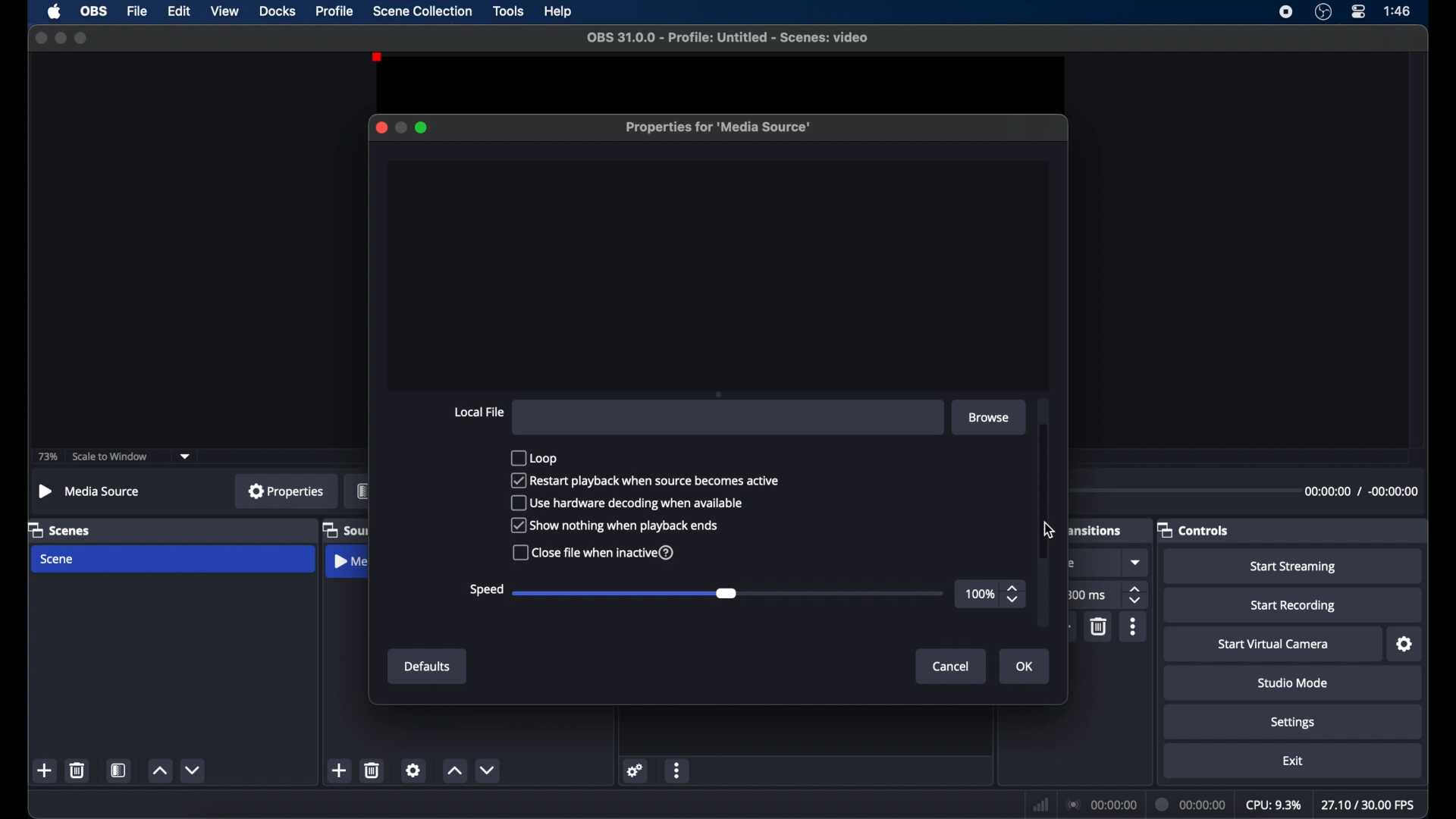 The width and height of the screenshot is (1456, 819). What do you see at coordinates (1294, 761) in the screenshot?
I see `exit` at bounding box center [1294, 761].